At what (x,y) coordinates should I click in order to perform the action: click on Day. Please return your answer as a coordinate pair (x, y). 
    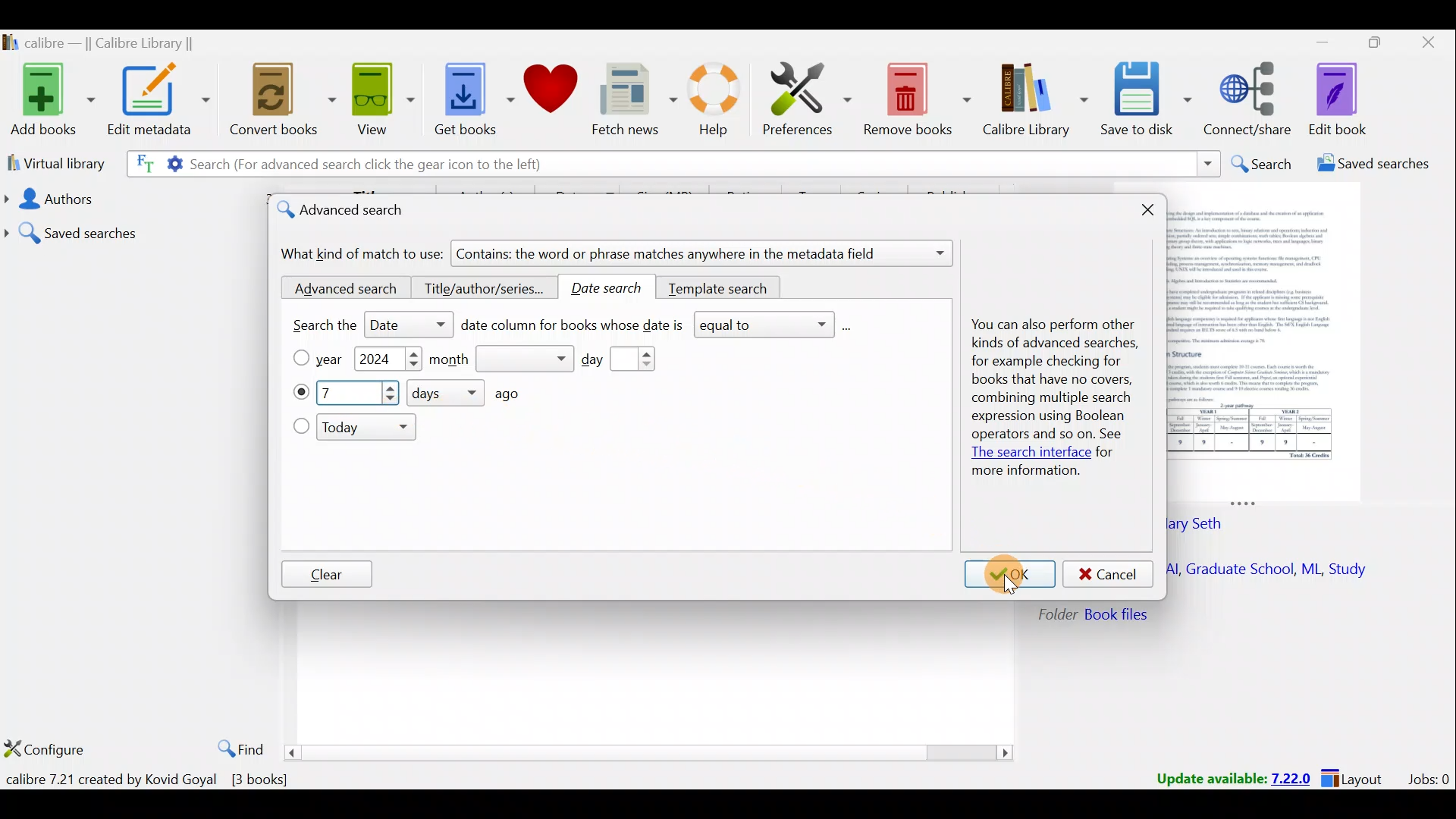
    Looking at the image, I should click on (629, 359).